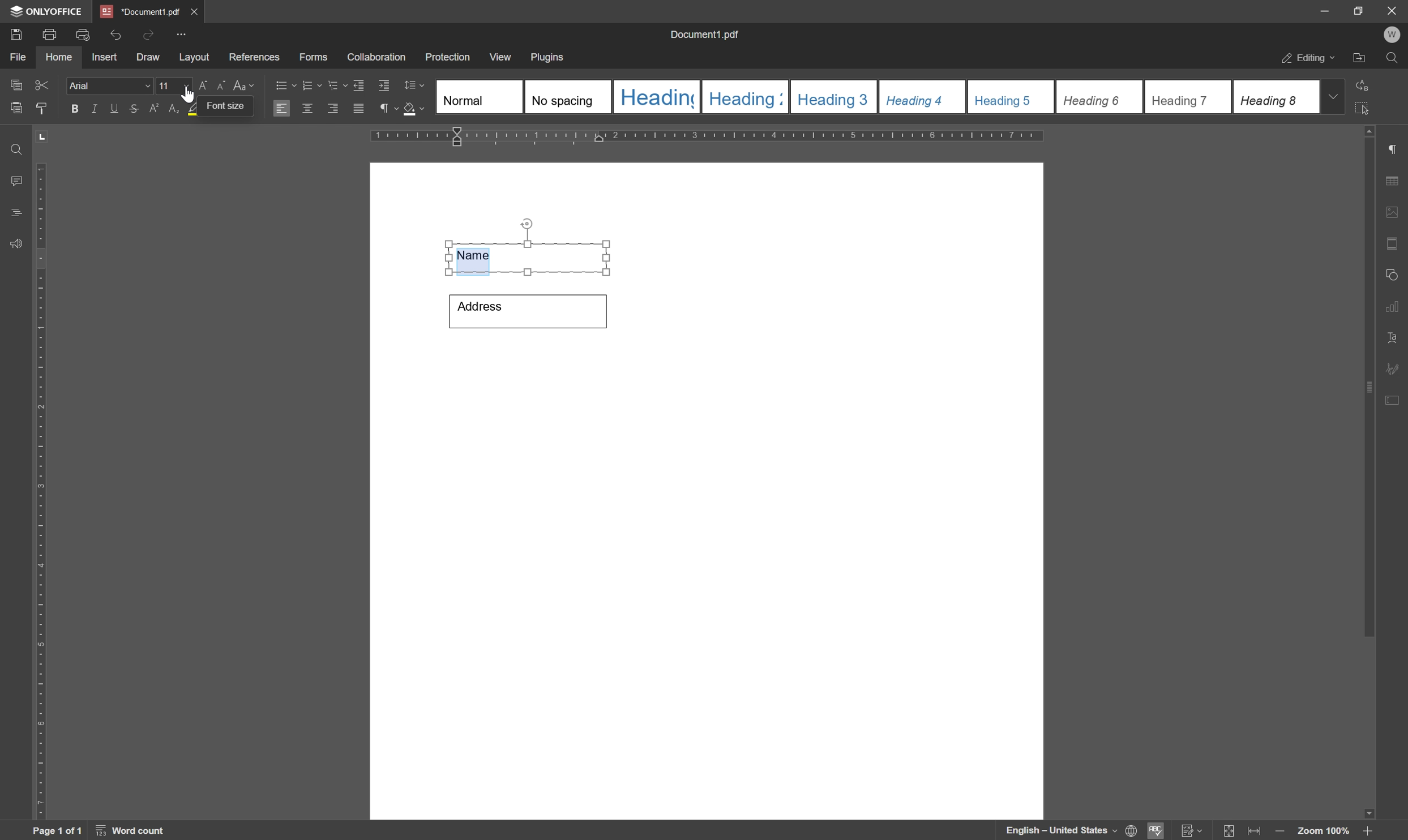  Describe the element at coordinates (1360, 59) in the screenshot. I see `open file location` at that location.